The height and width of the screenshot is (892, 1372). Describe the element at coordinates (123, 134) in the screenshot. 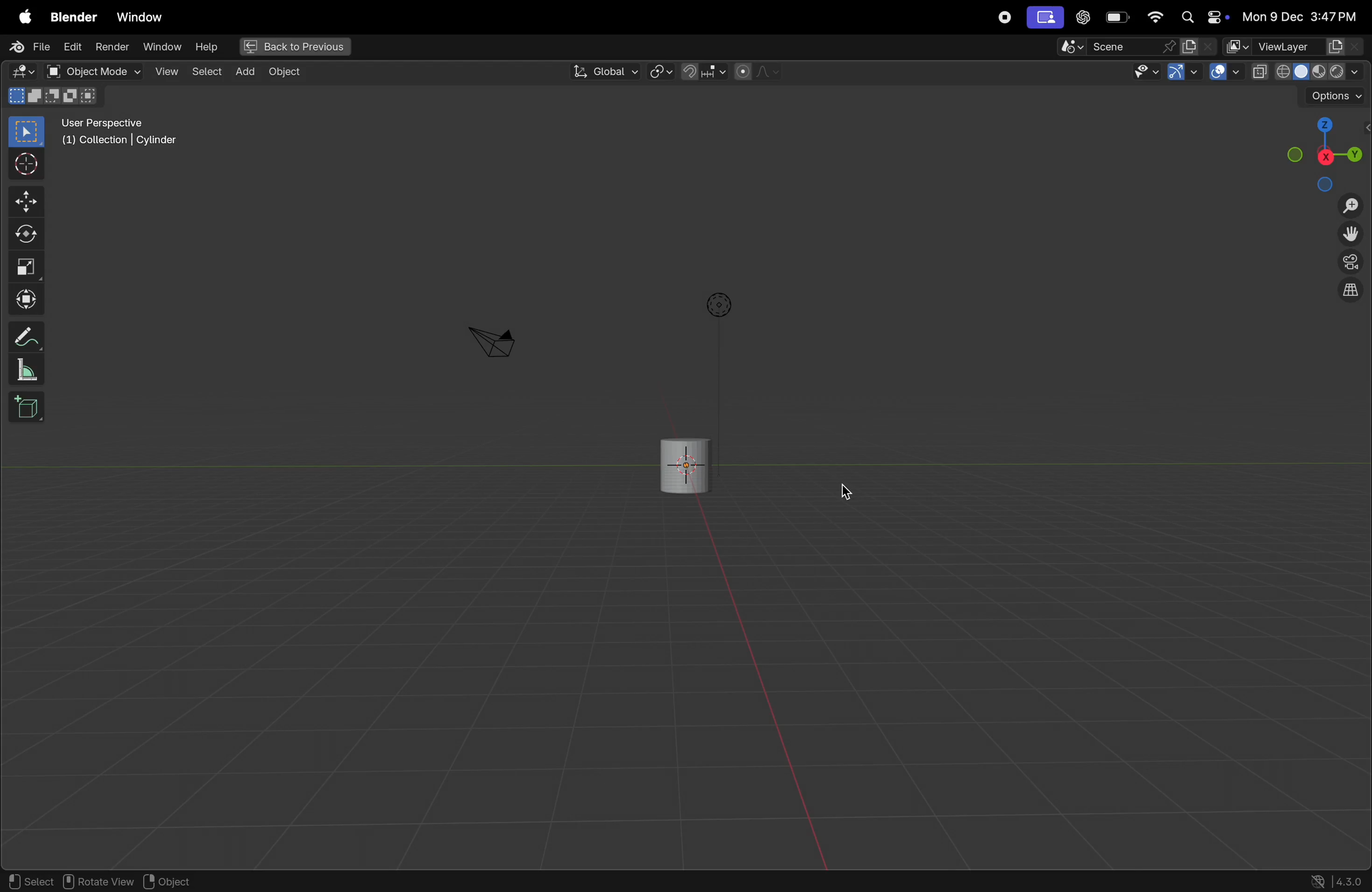

I see `user perspective` at that location.